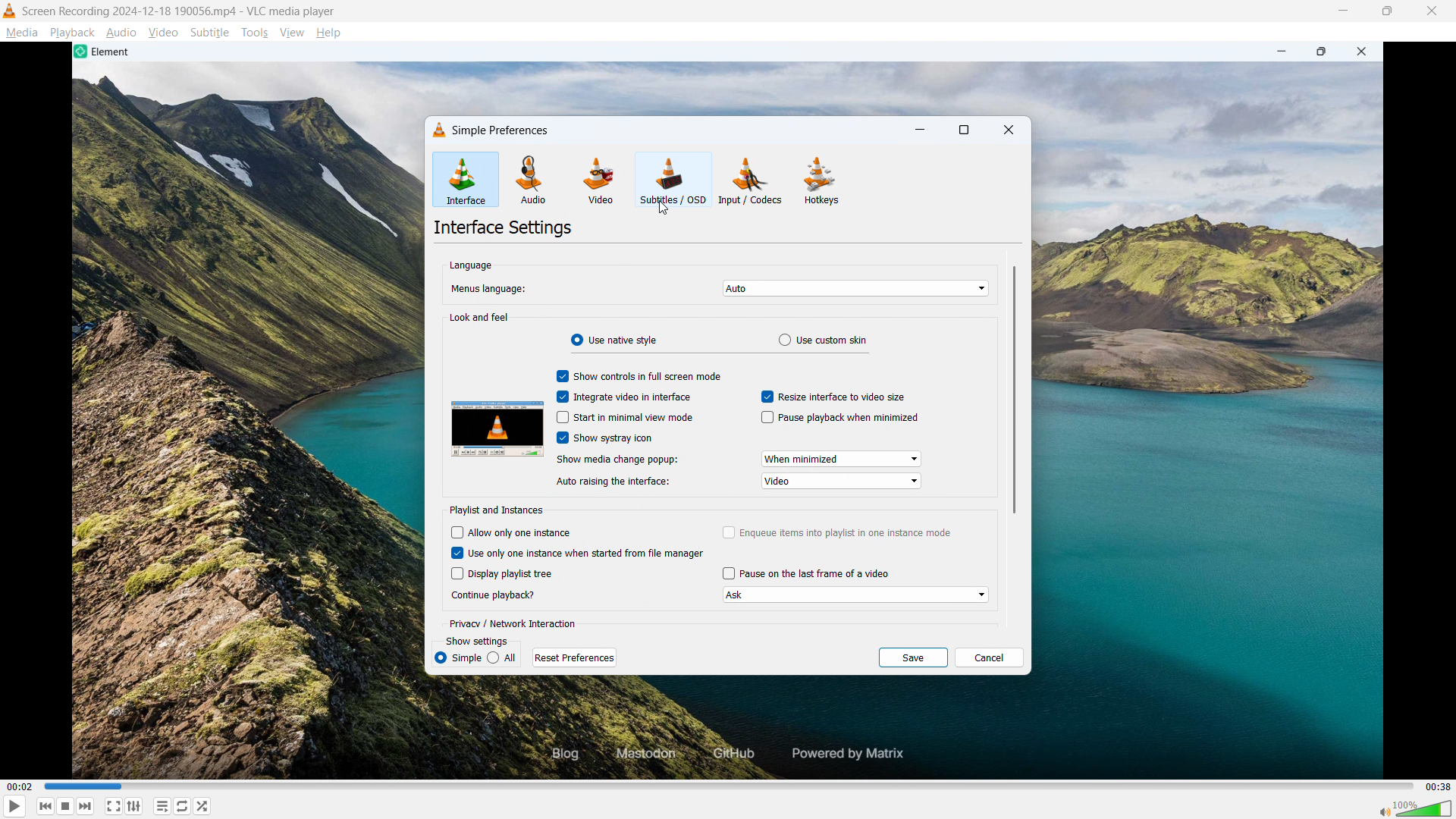 This screenshot has width=1456, height=819. What do you see at coordinates (847, 532) in the screenshot?
I see `enqueue items into playlist in one instance mode ` at bounding box center [847, 532].